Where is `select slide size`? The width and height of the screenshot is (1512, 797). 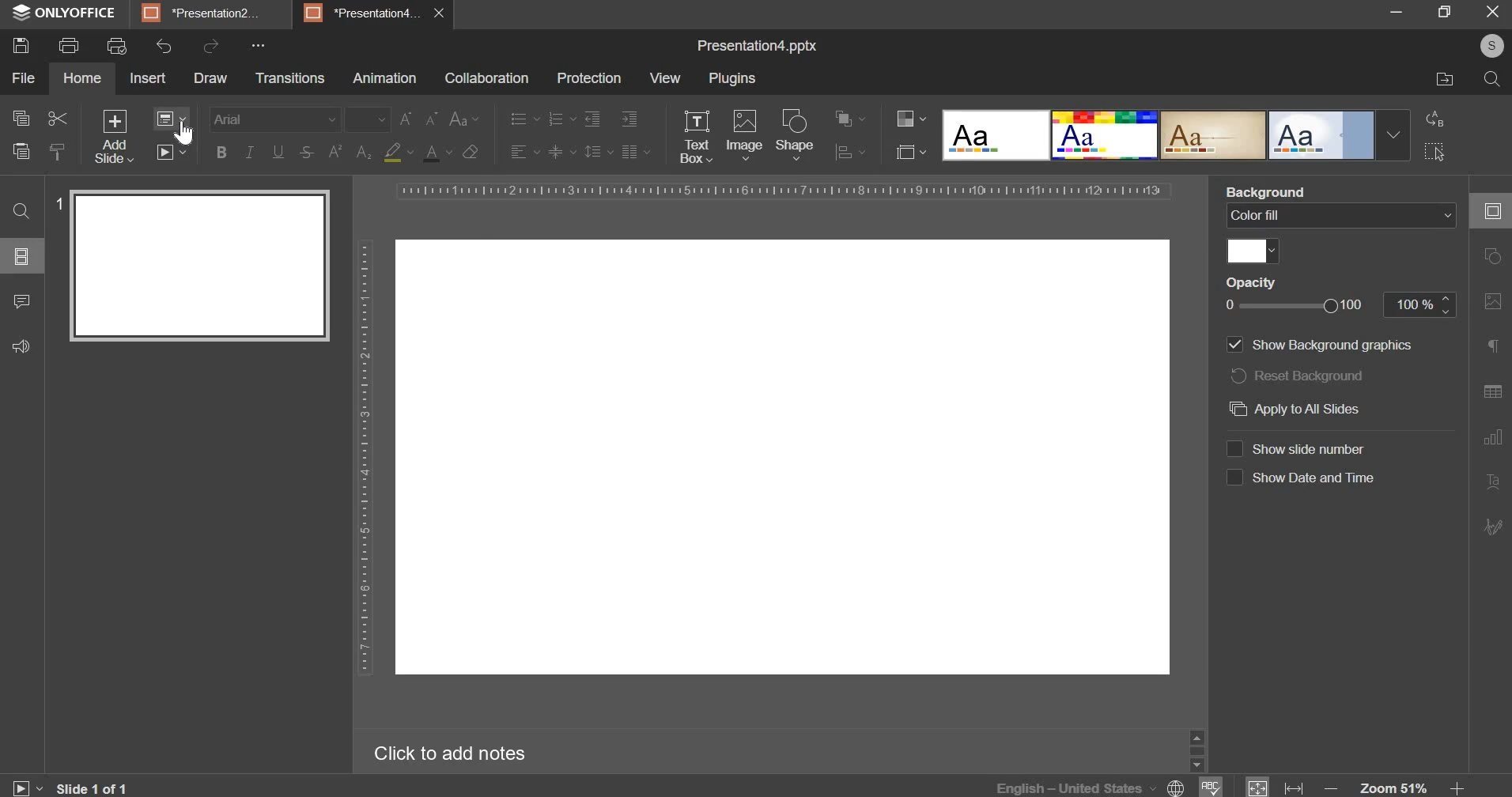 select slide size is located at coordinates (907, 151).